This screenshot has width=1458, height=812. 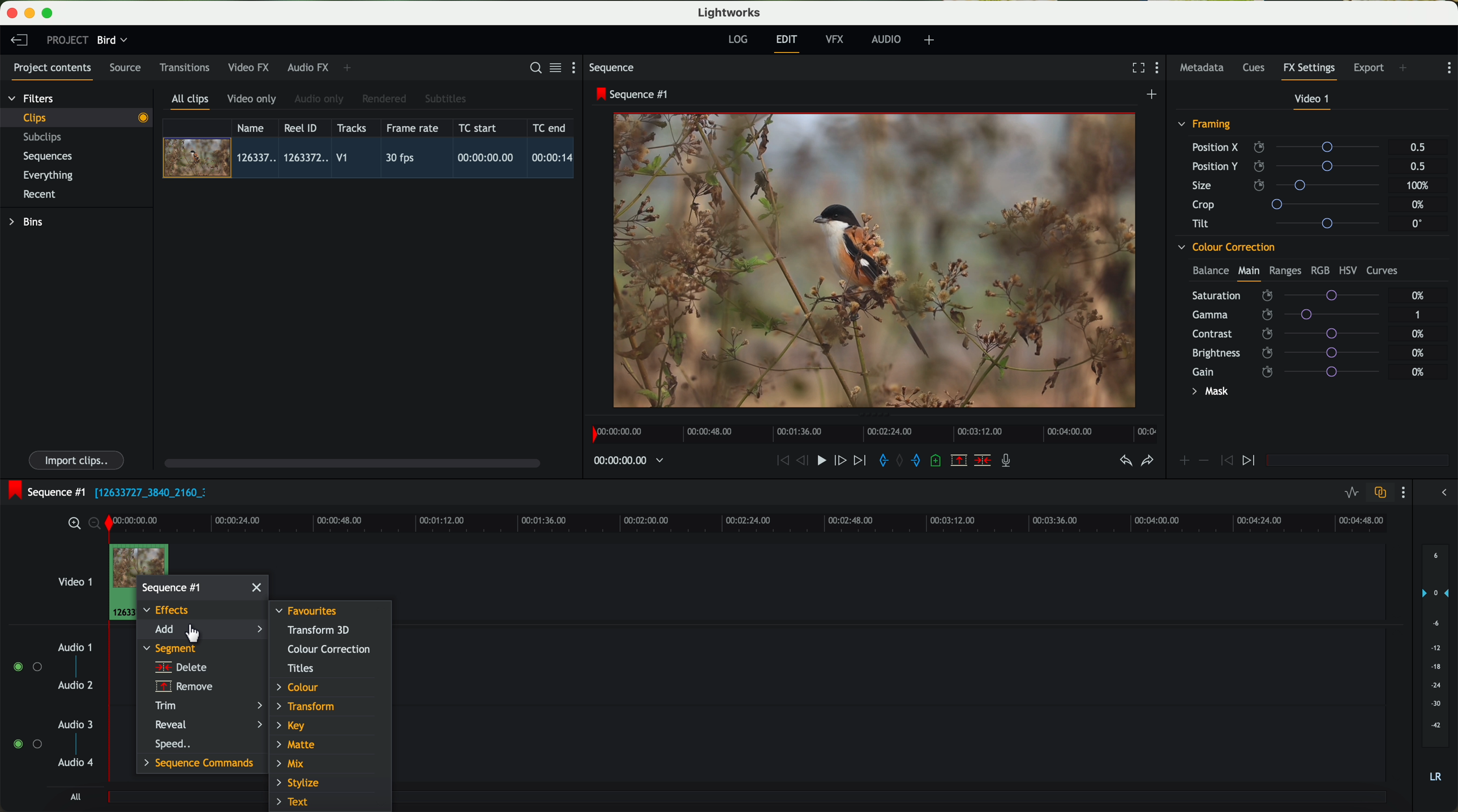 What do you see at coordinates (900, 461) in the screenshot?
I see `clear marks` at bounding box center [900, 461].